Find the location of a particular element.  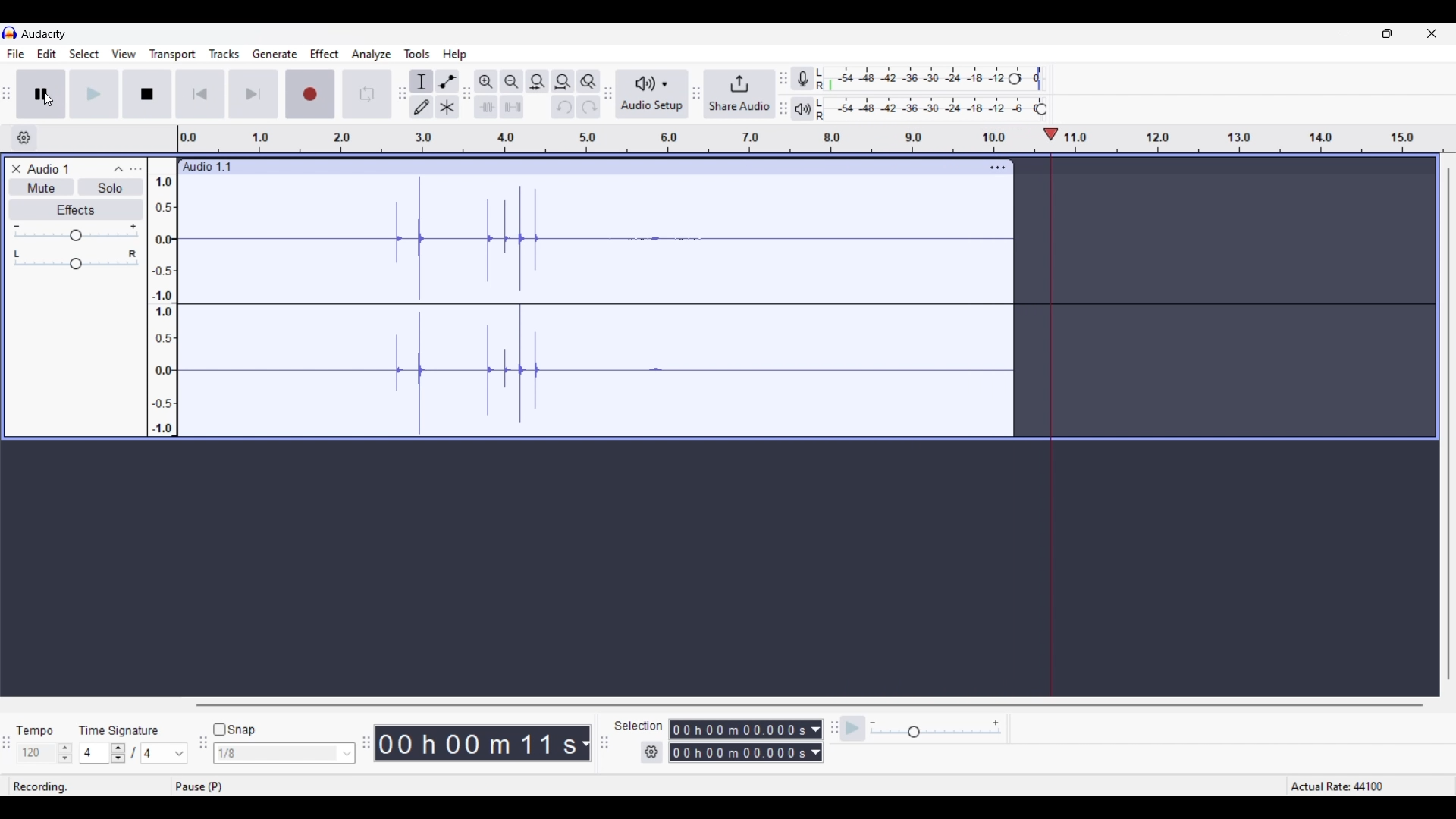

Actual rate is located at coordinates (1365, 786).